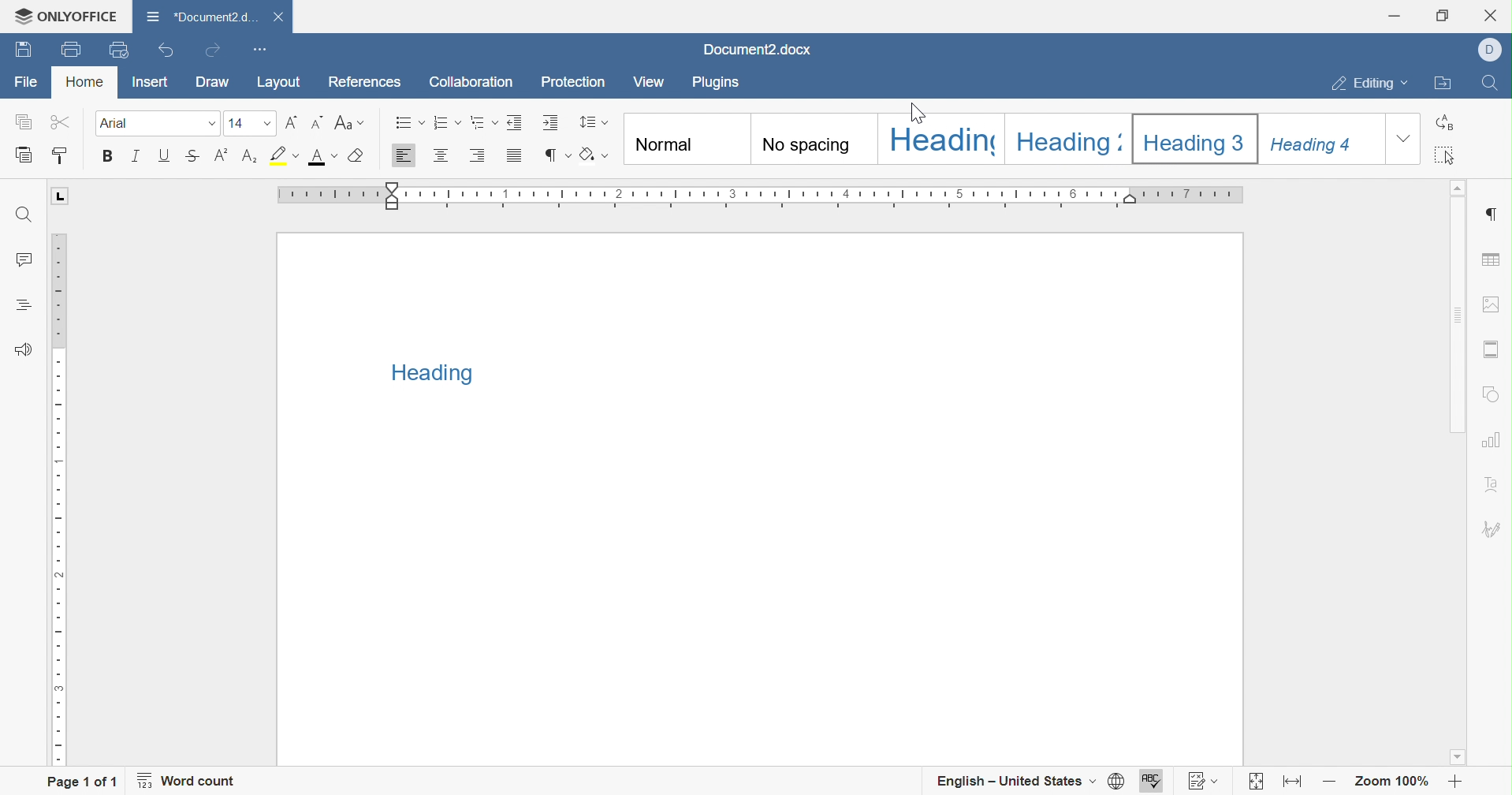  What do you see at coordinates (683, 139) in the screenshot?
I see `Normal` at bounding box center [683, 139].